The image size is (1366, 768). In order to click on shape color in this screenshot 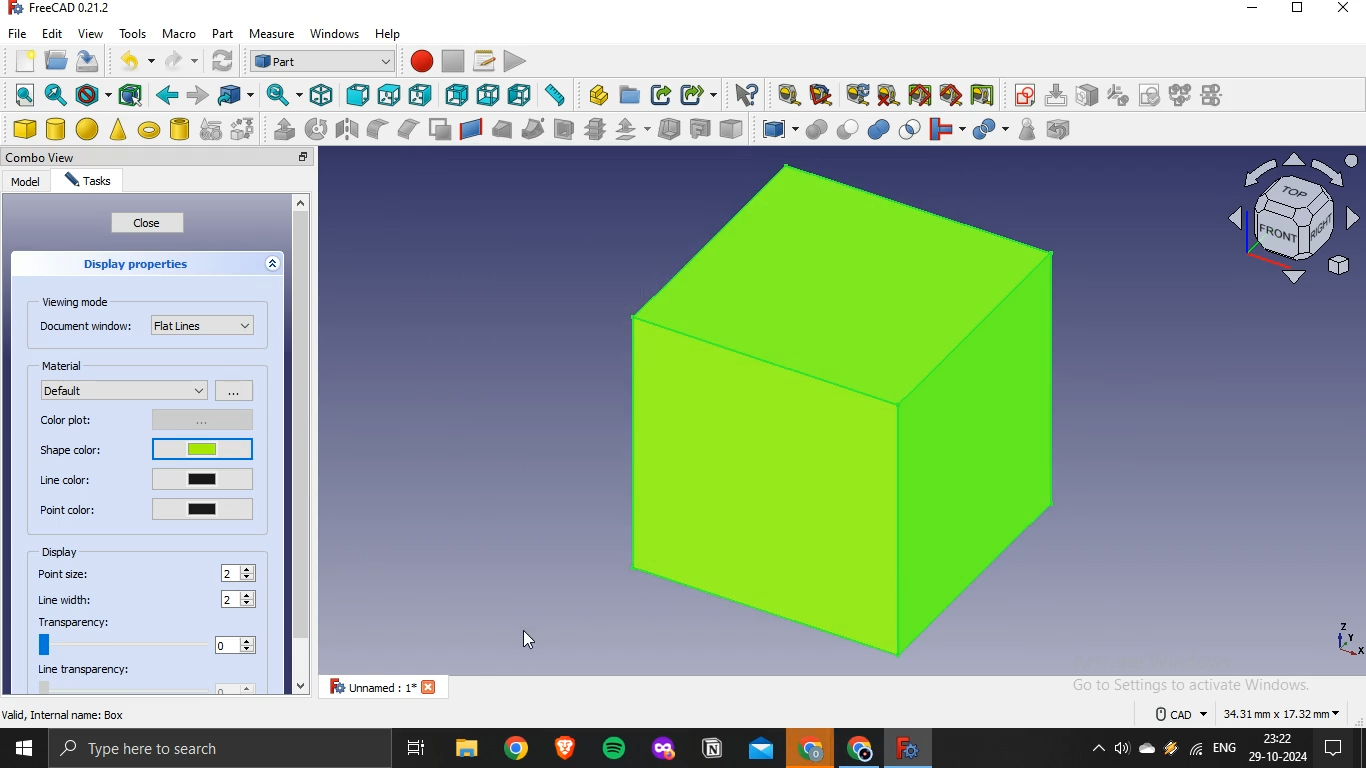, I will do `click(141, 451)`.